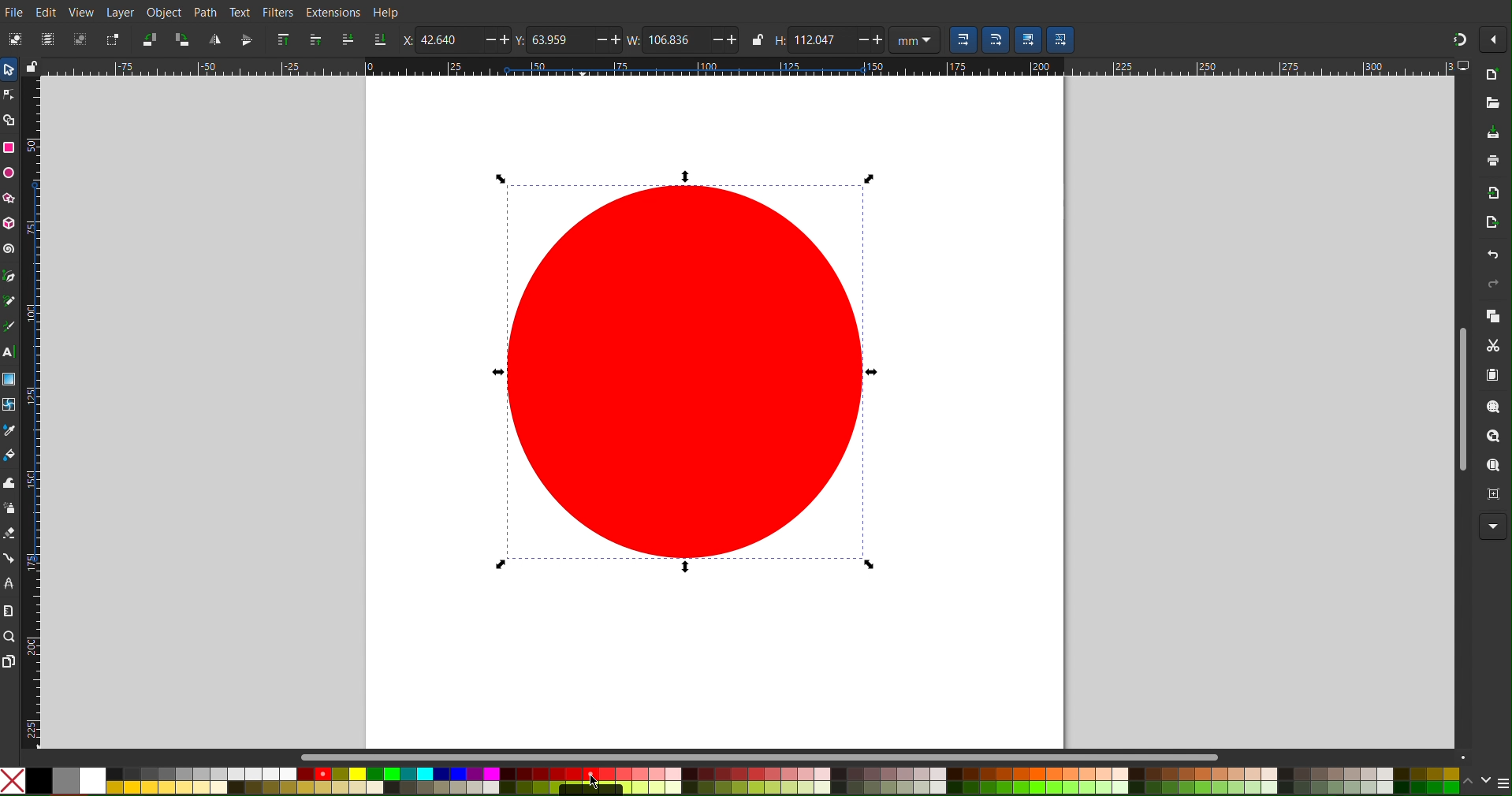 Image resolution: width=1512 pixels, height=796 pixels. I want to click on New, so click(1493, 75).